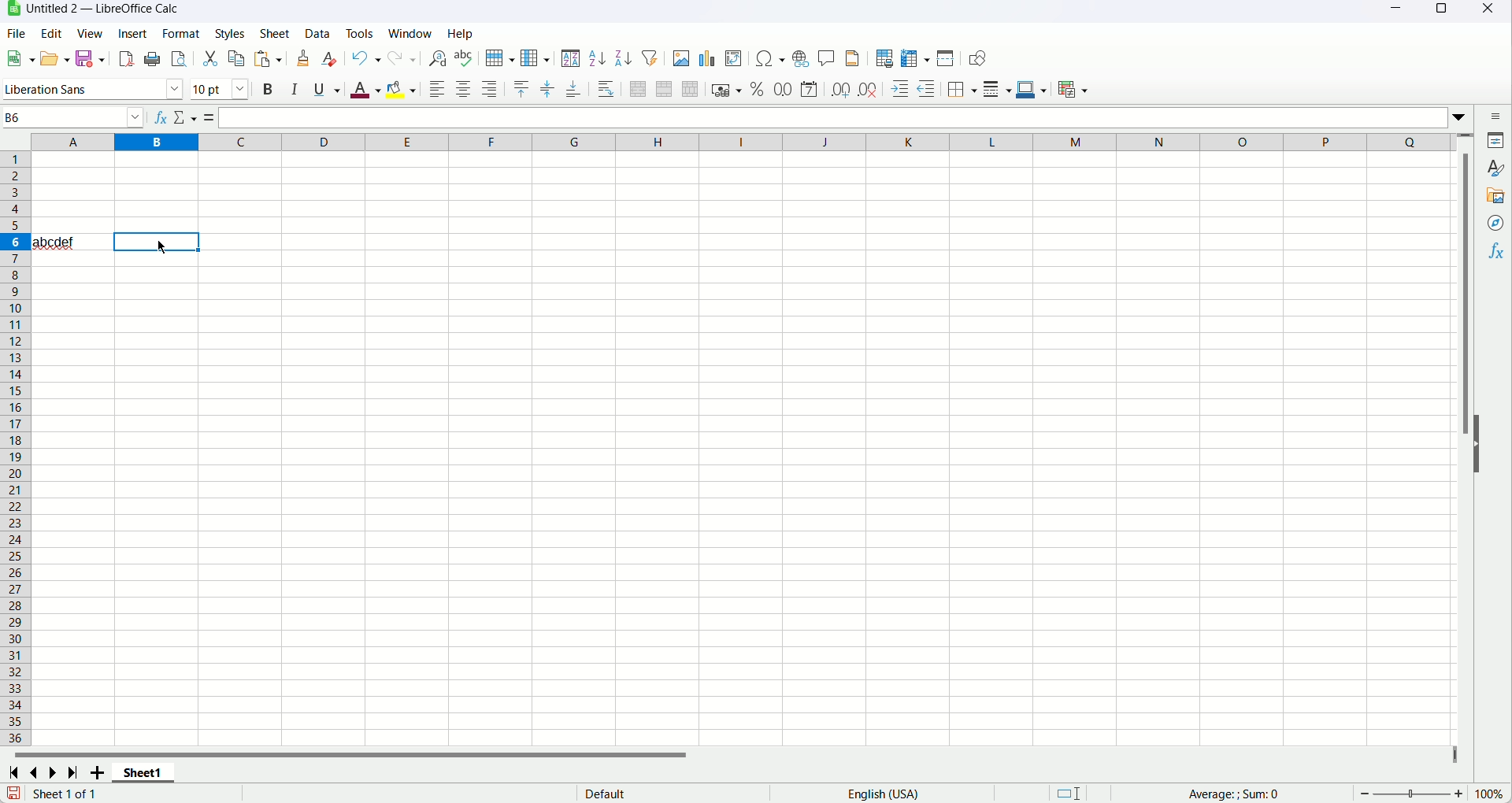  Describe the element at coordinates (402, 59) in the screenshot. I see `redo` at that location.